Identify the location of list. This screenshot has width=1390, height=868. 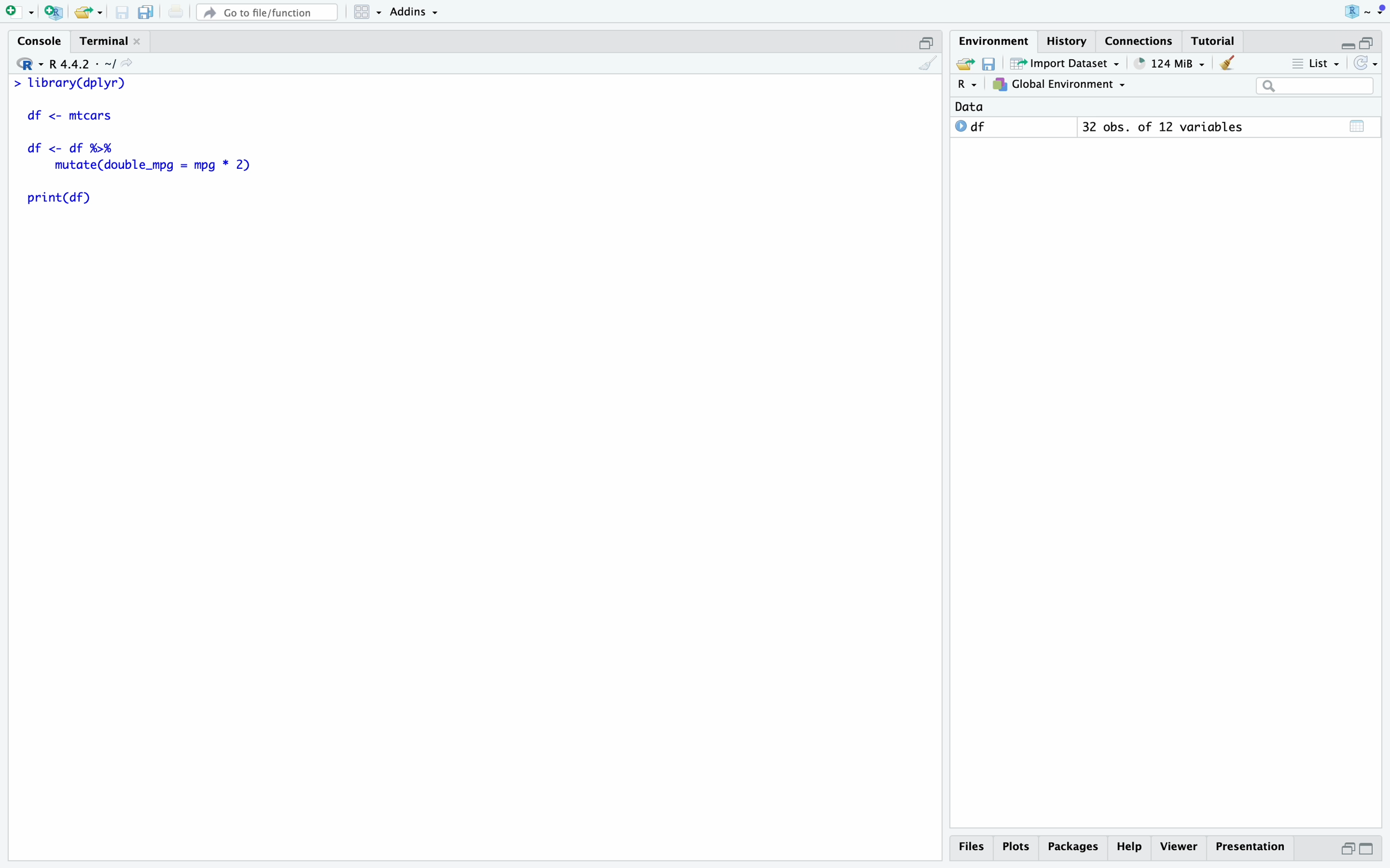
(1316, 64).